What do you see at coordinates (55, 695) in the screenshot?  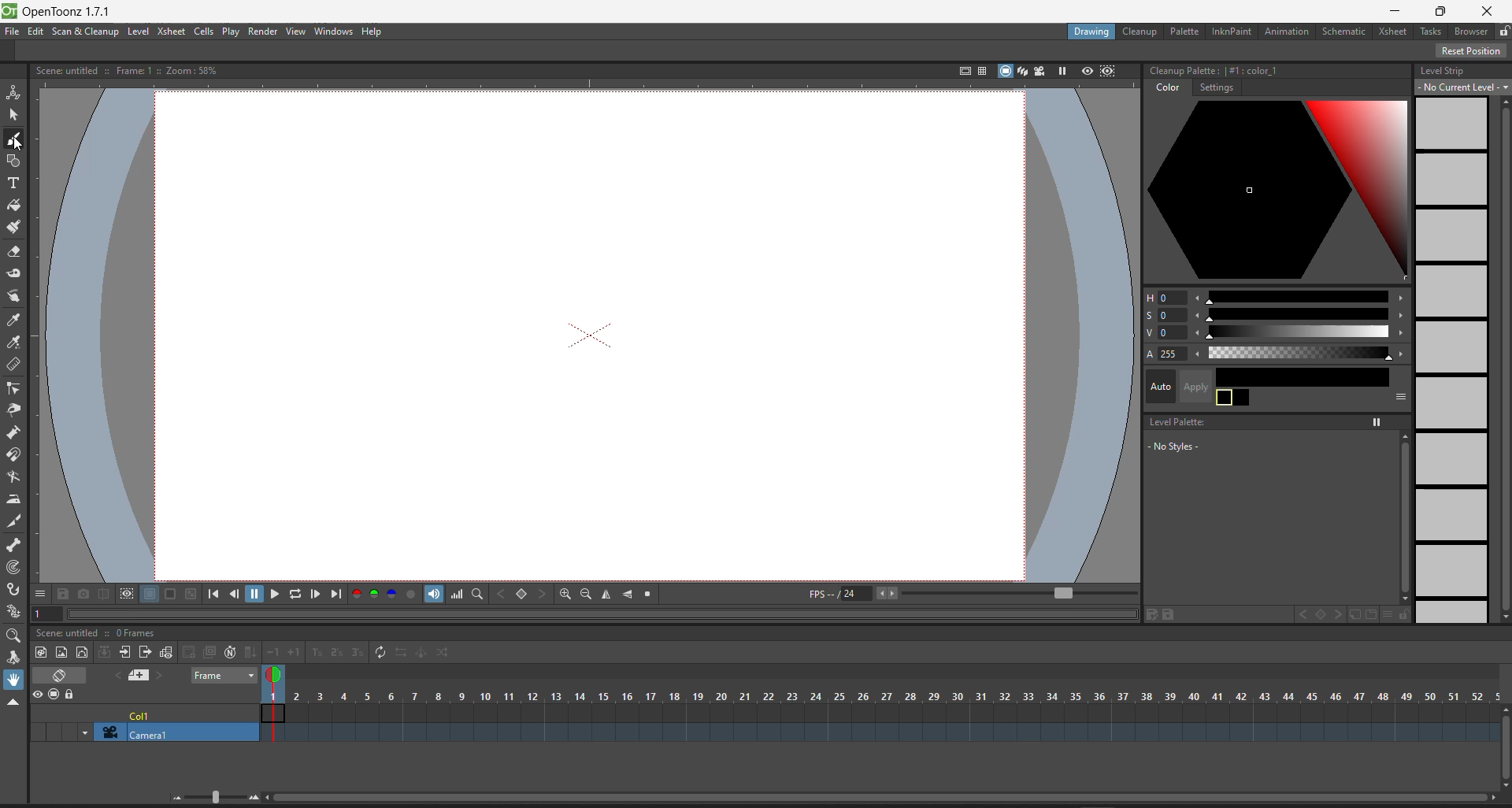 I see `camera standby visibility toggle all` at bounding box center [55, 695].